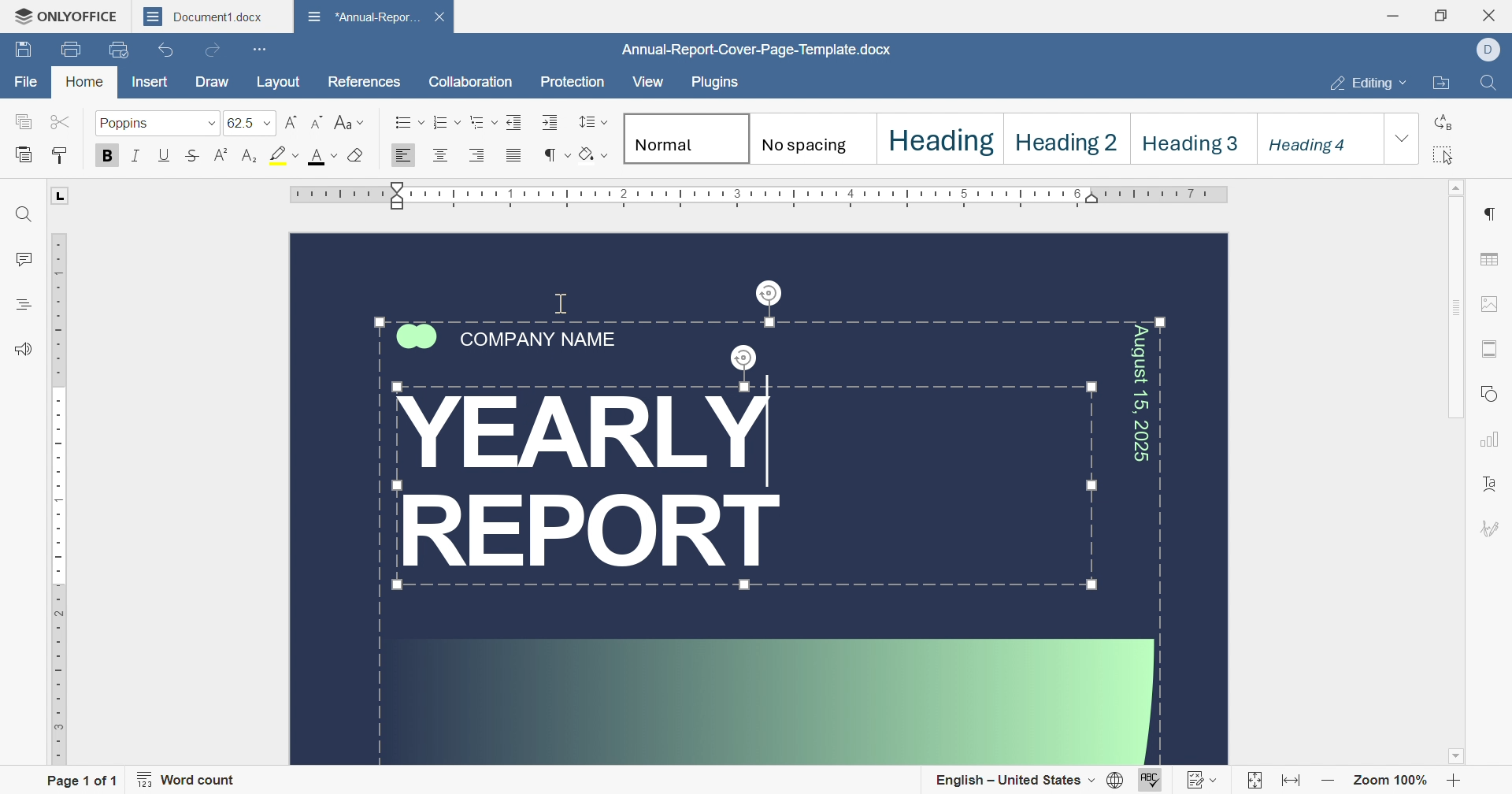 This screenshot has width=1512, height=794. Describe the element at coordinates (1493, 394) in the screenshot. I see `shape settings` at that location.